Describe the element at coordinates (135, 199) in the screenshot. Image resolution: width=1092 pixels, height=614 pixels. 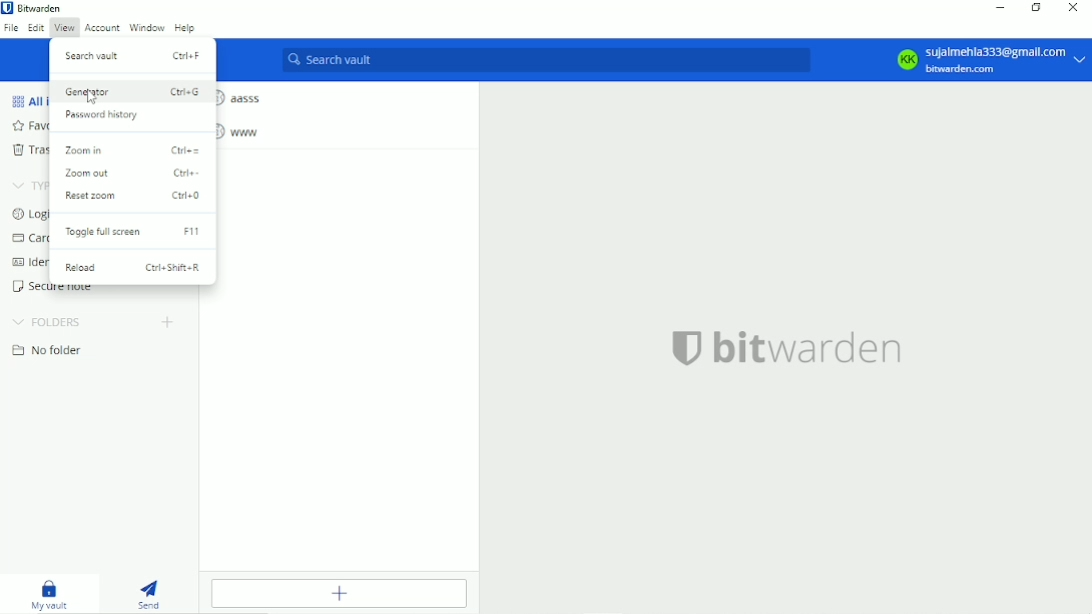
I see `Reset zoom` at that location.